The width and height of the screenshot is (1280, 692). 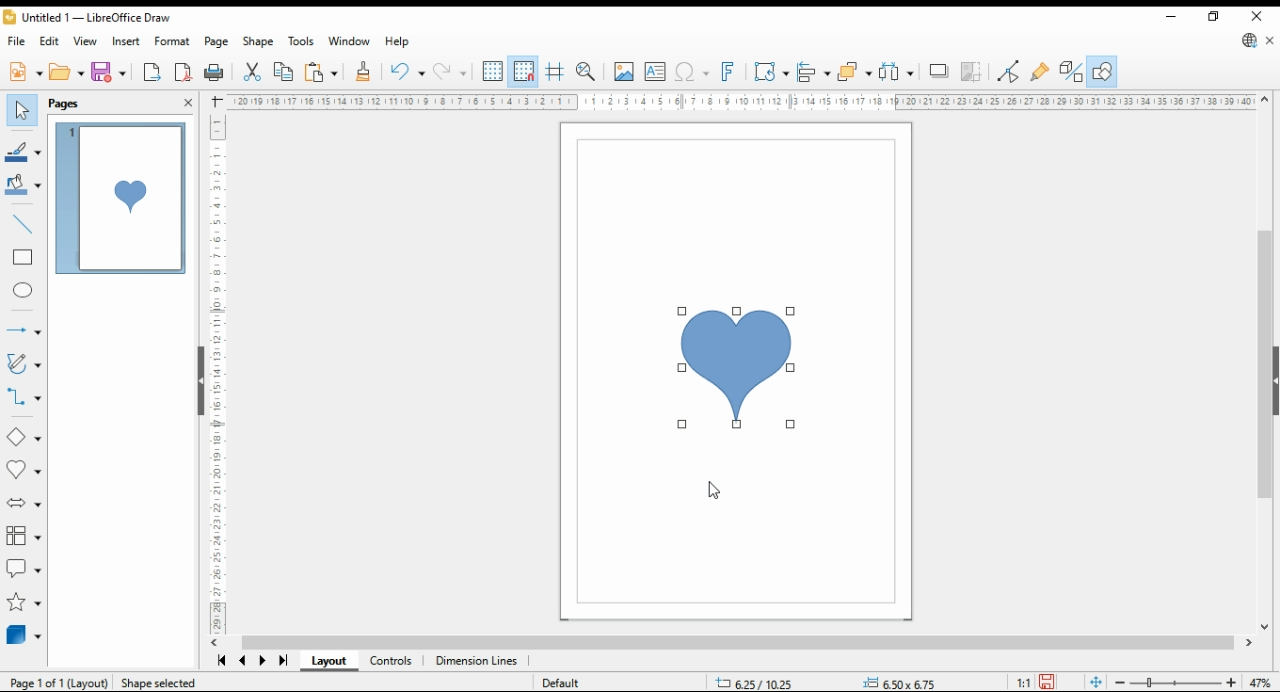 I want to click on export, so click(x=153, y=72).